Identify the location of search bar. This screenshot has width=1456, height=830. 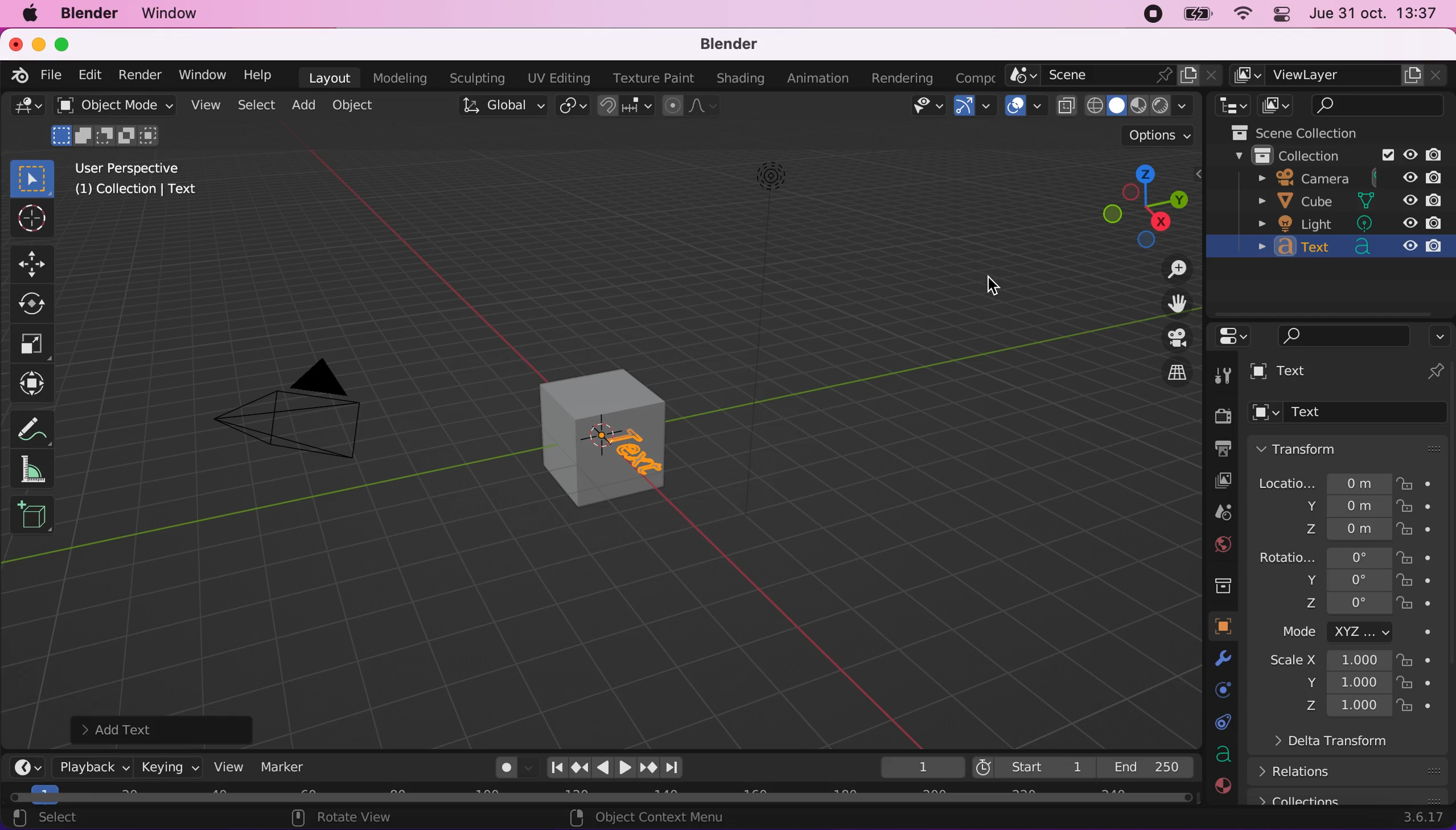
(1341, 339).